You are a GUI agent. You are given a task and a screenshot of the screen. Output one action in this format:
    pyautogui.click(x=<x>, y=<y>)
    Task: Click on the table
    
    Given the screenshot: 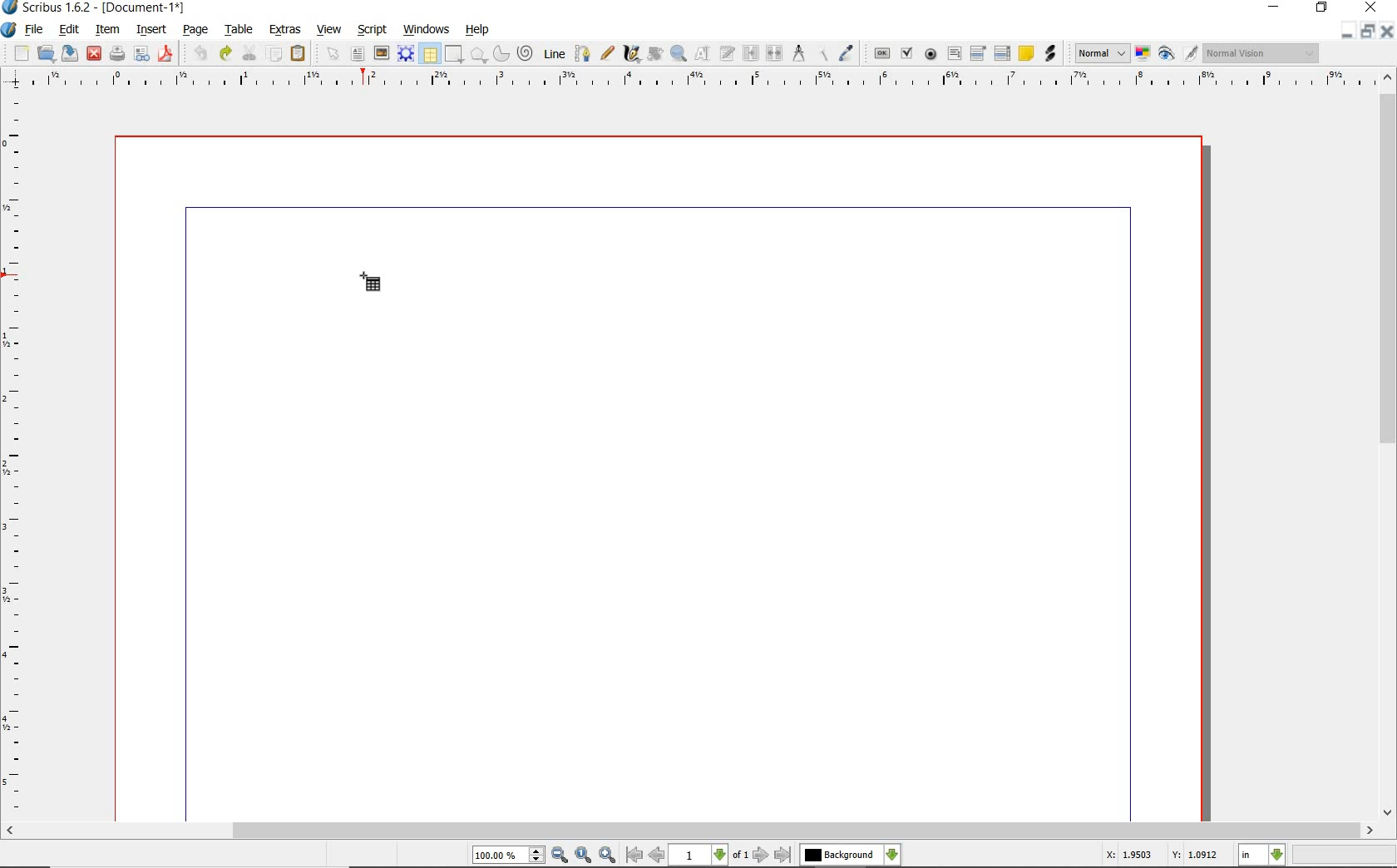 What is the action you would take?
    pyautogui.click(x=240, y=31)
    